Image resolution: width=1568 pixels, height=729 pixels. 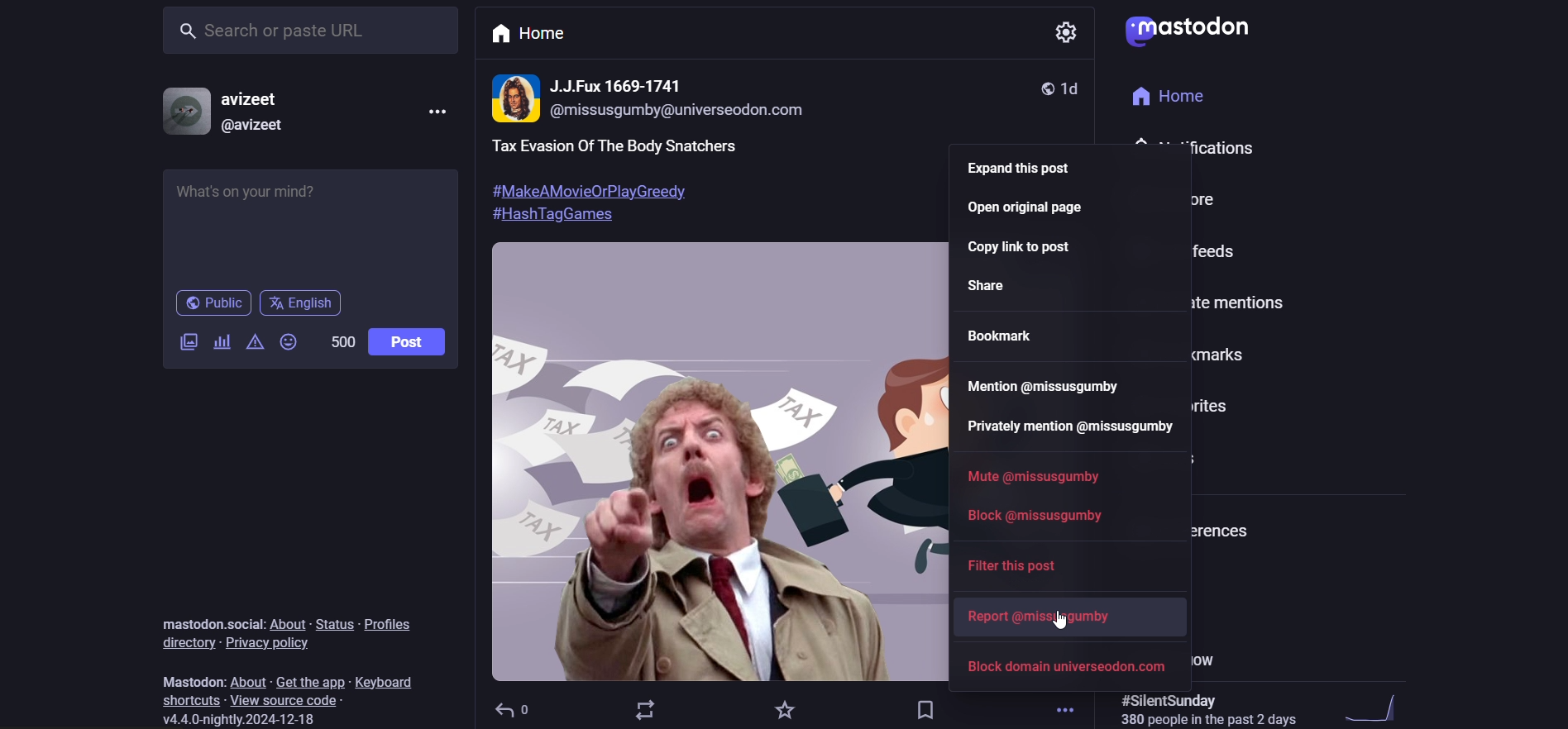 What do you see at coordinates (1070, 429) in the screenshot?
I see `private mention` at bounding box center [1070, 429].